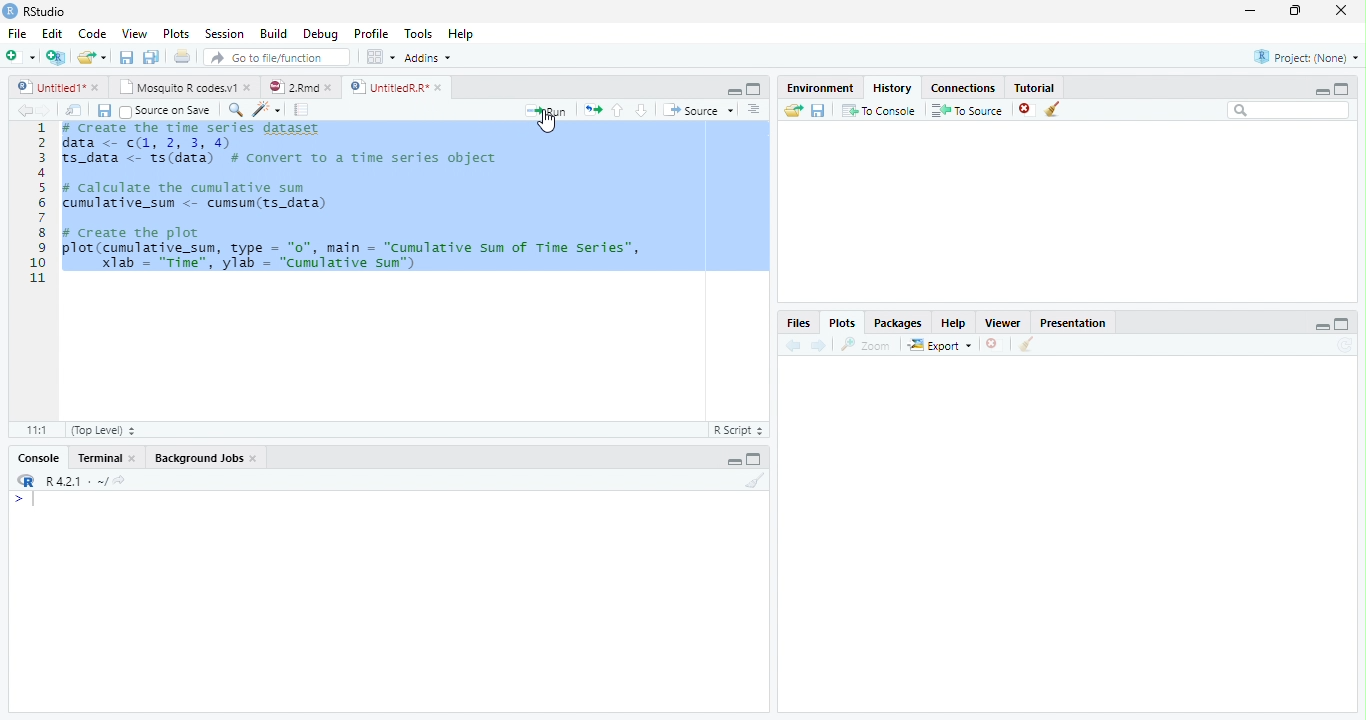 The image size is (1366, 720). I want to click on Files, so click(592, 110).